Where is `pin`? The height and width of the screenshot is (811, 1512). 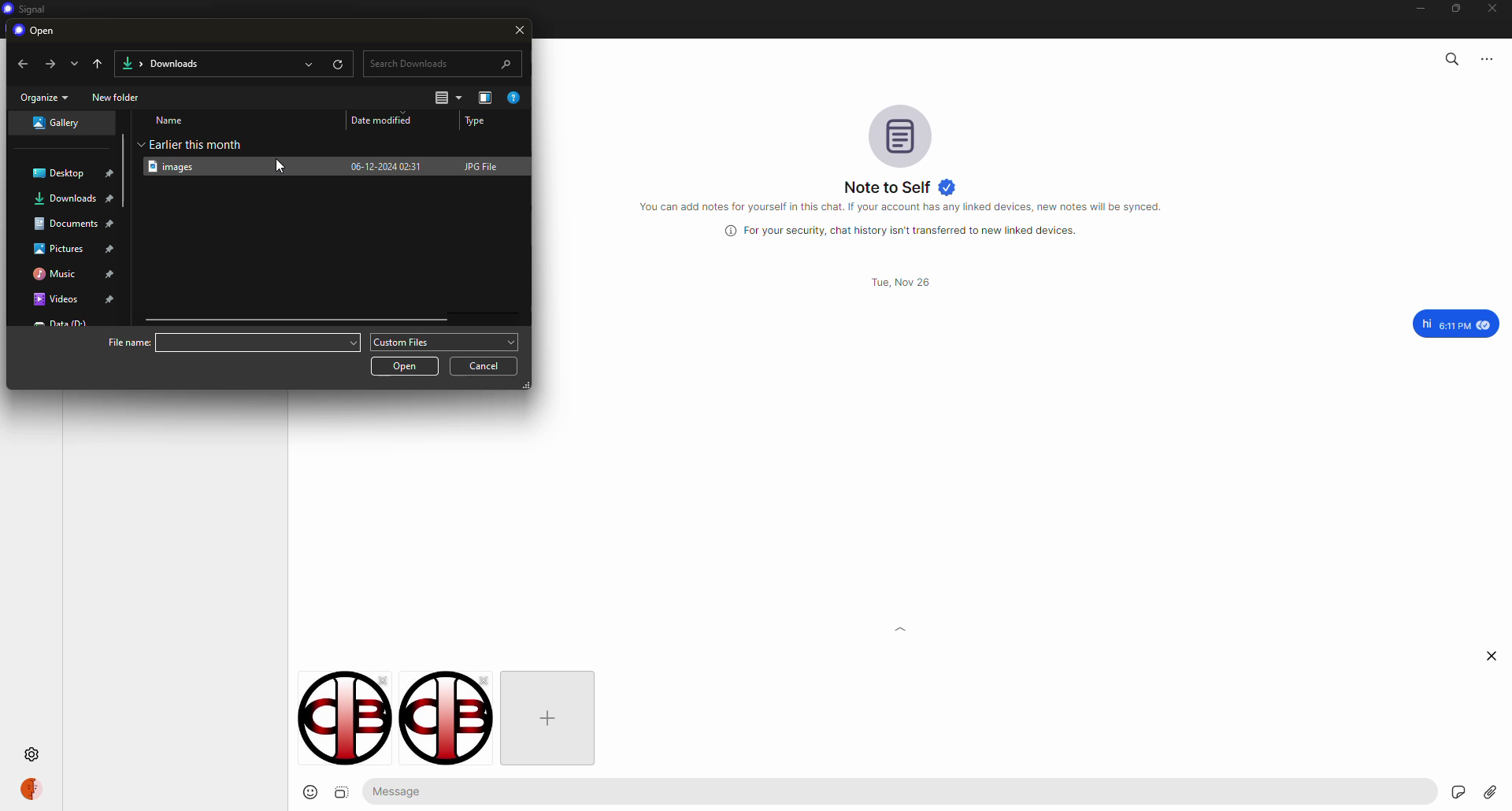
pin is located at coordinates (111, 250).